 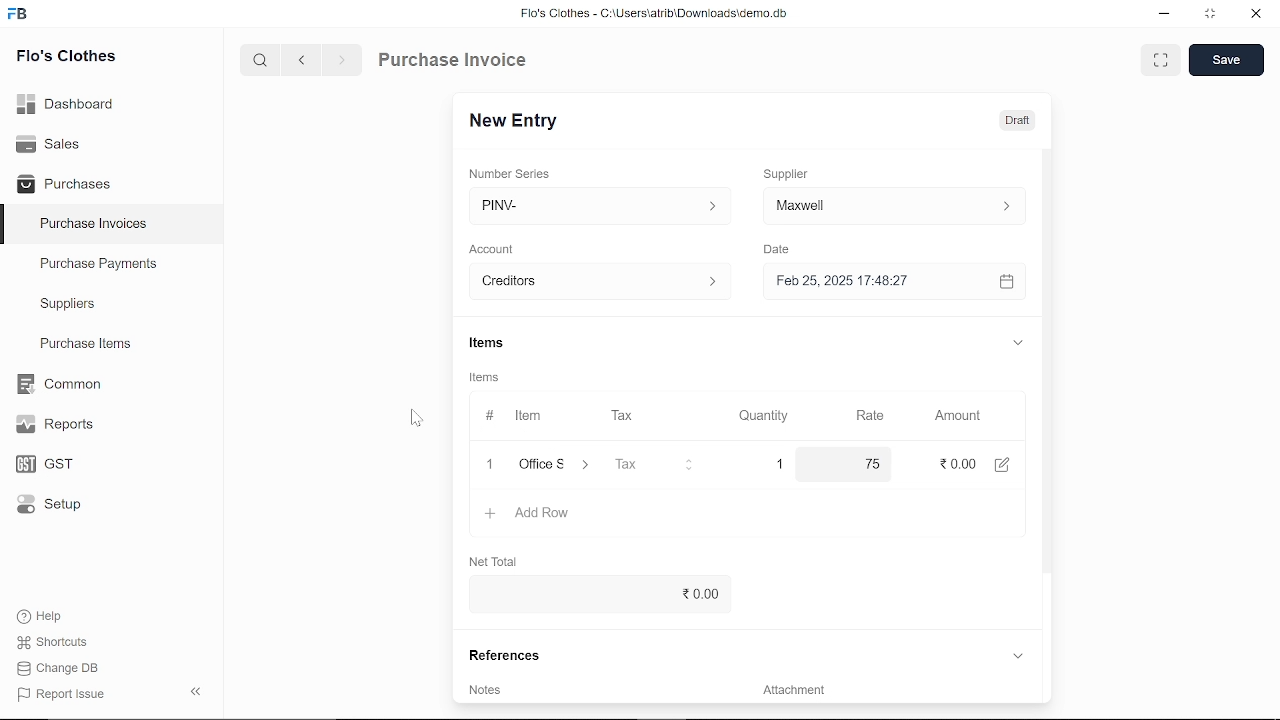 I want to click on Purchase Invoice, so click(x=456, y=62).